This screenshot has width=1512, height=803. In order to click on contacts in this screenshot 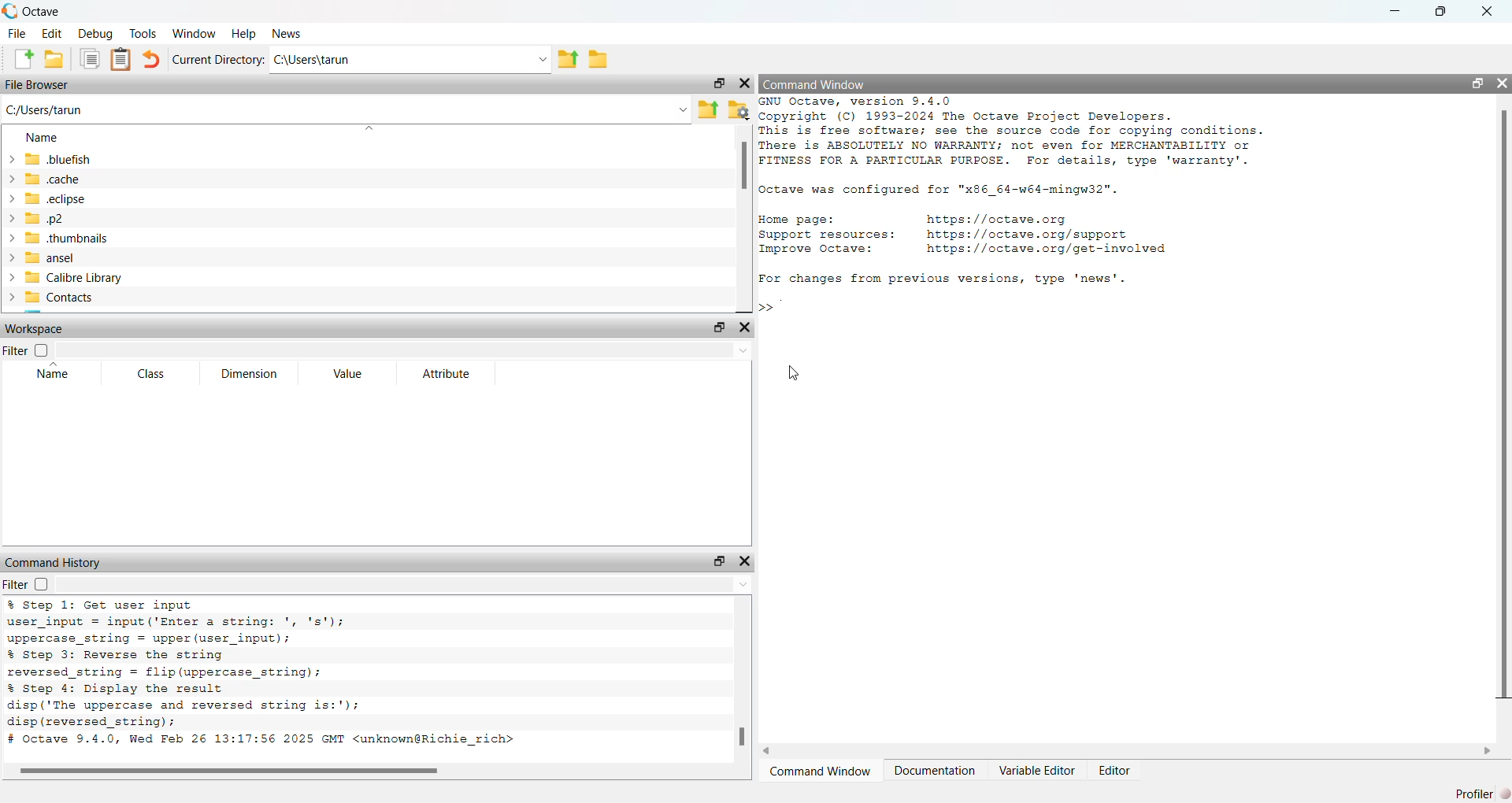, I will do `click(69, 299)`.